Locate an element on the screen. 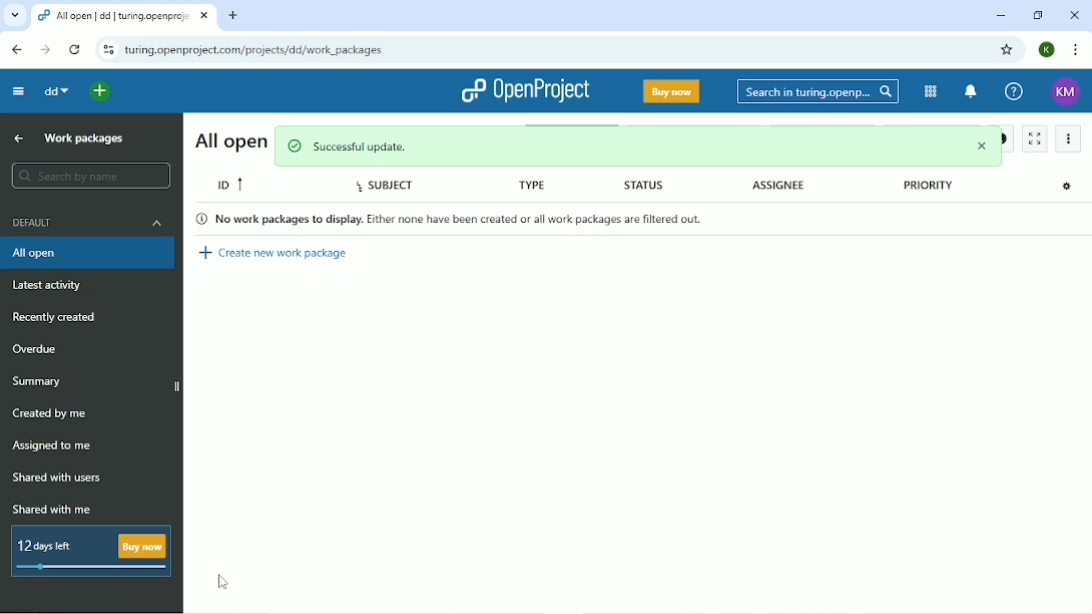 The width and height of the screenshot is (1092, 614). 12 days left Buy now is located at coordinates (87, 551).